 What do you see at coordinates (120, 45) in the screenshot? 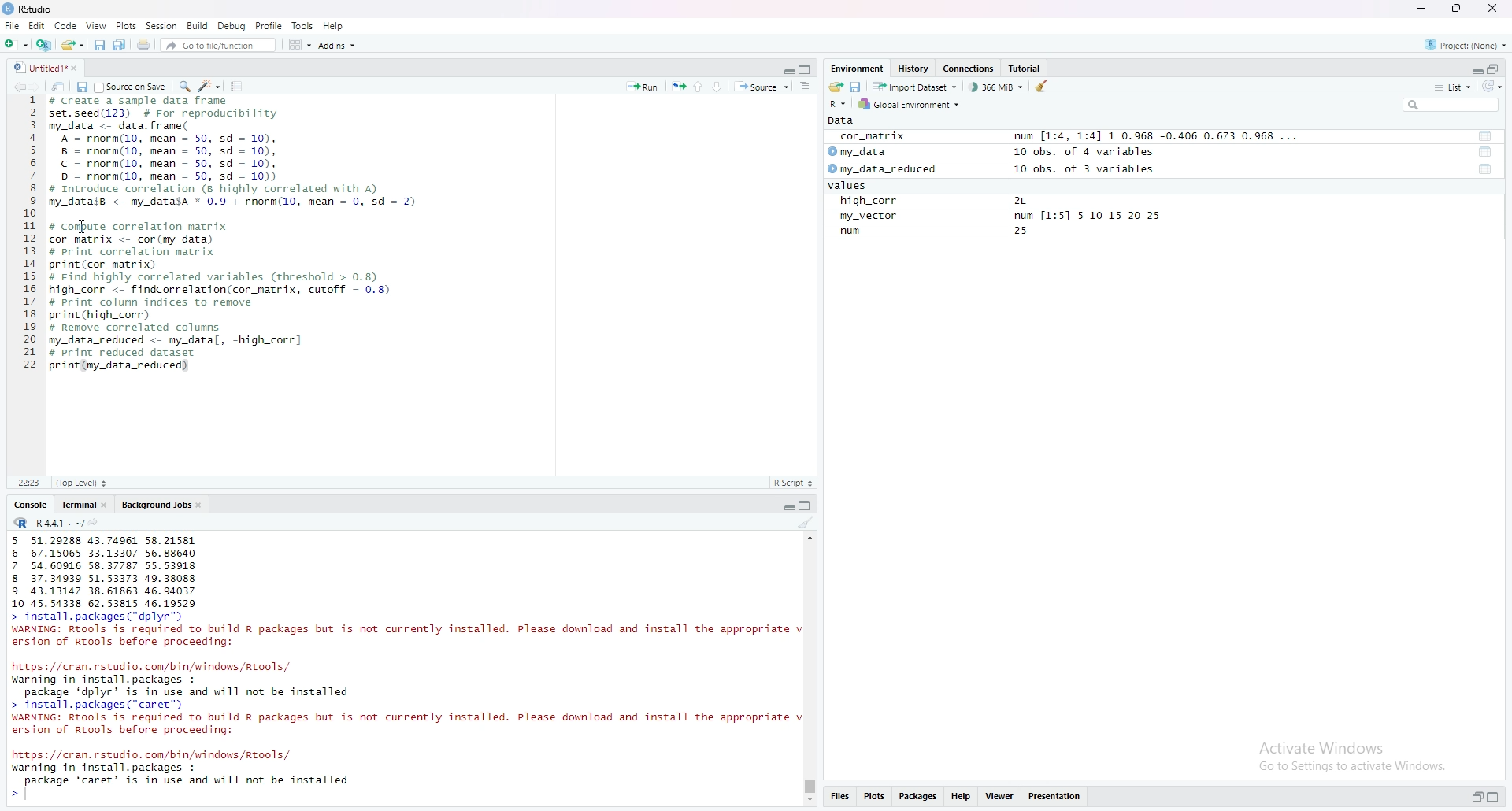
I see `Copy ` at bounding box center [120, 45].